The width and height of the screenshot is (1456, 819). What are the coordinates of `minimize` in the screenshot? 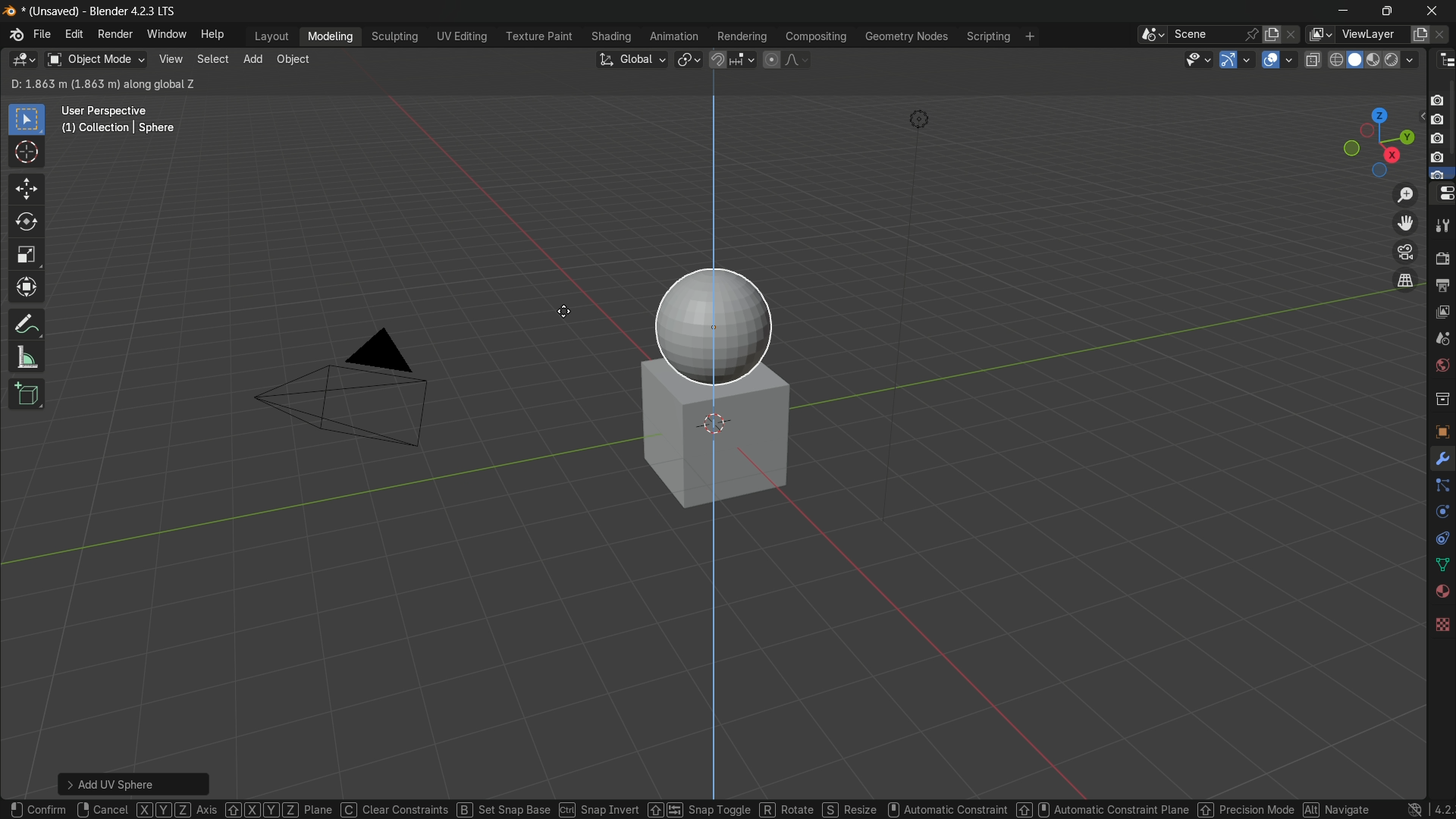 It's located at (1343, 12).